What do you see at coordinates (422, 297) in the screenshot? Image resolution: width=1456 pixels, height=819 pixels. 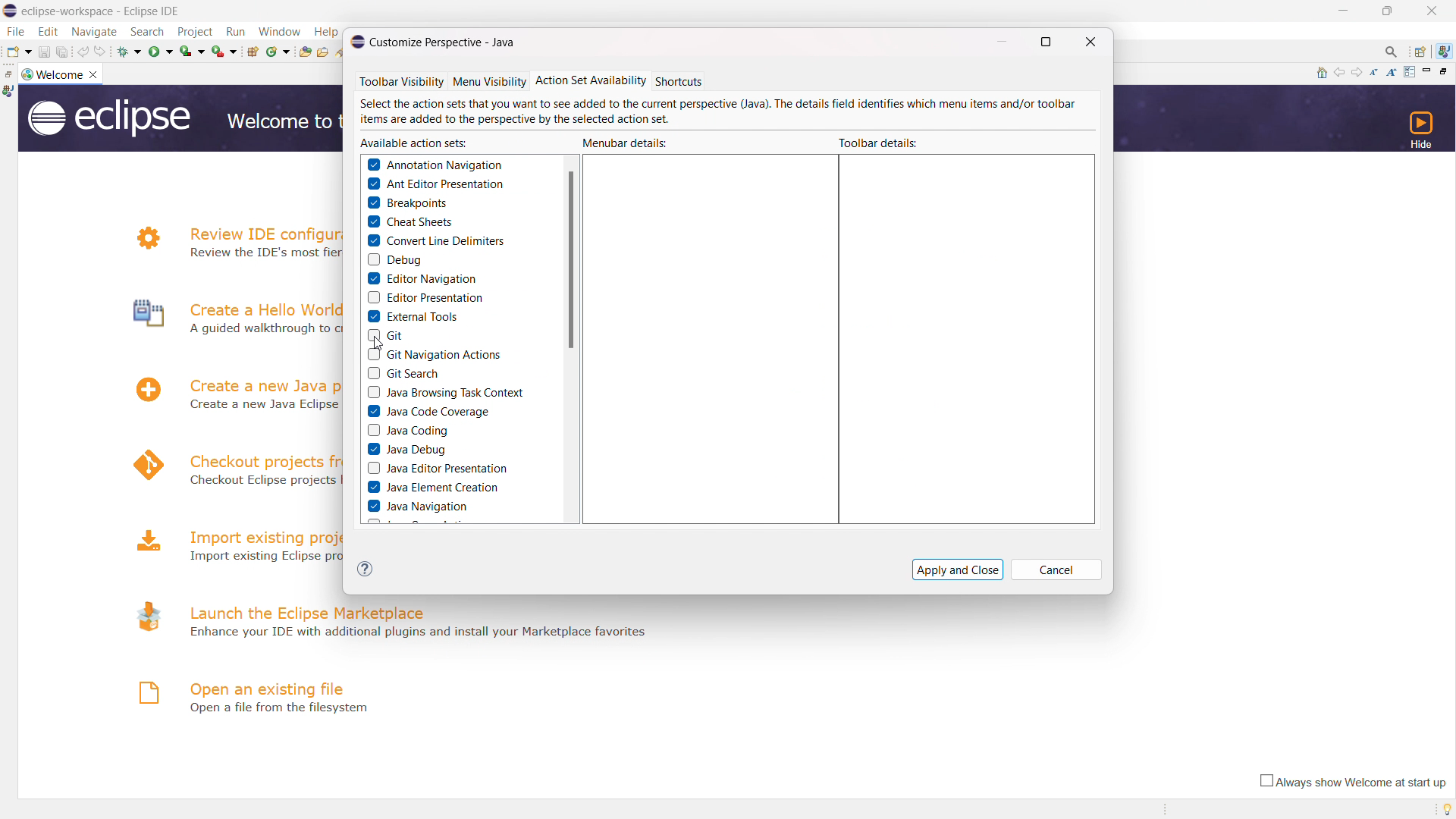 I see `editor presentation` at bounding box center [422, 297].